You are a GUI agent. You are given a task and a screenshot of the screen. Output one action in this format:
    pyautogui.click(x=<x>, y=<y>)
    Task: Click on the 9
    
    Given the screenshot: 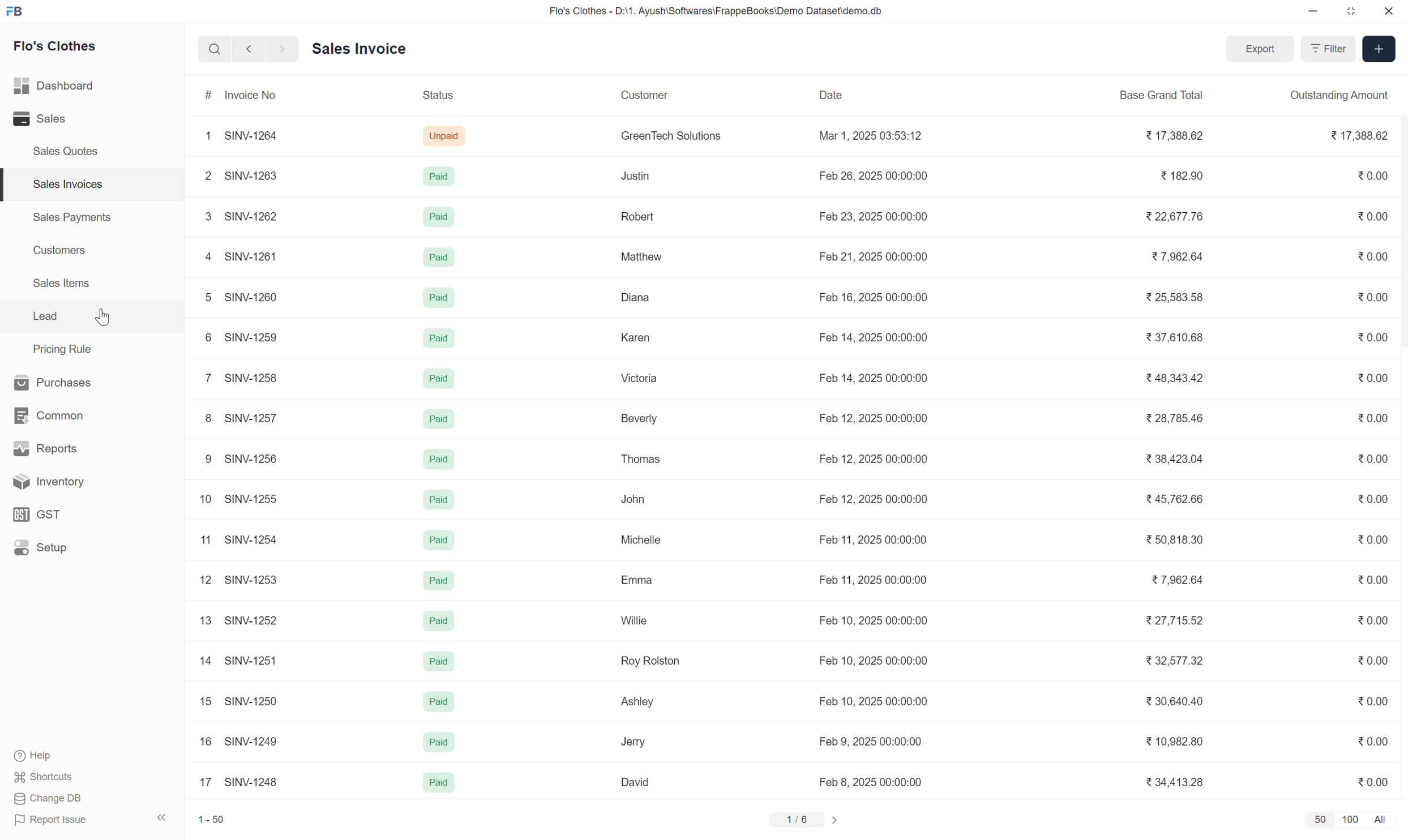 What is the action you would take?
    pyautogui.click(x=203, y=459)
    